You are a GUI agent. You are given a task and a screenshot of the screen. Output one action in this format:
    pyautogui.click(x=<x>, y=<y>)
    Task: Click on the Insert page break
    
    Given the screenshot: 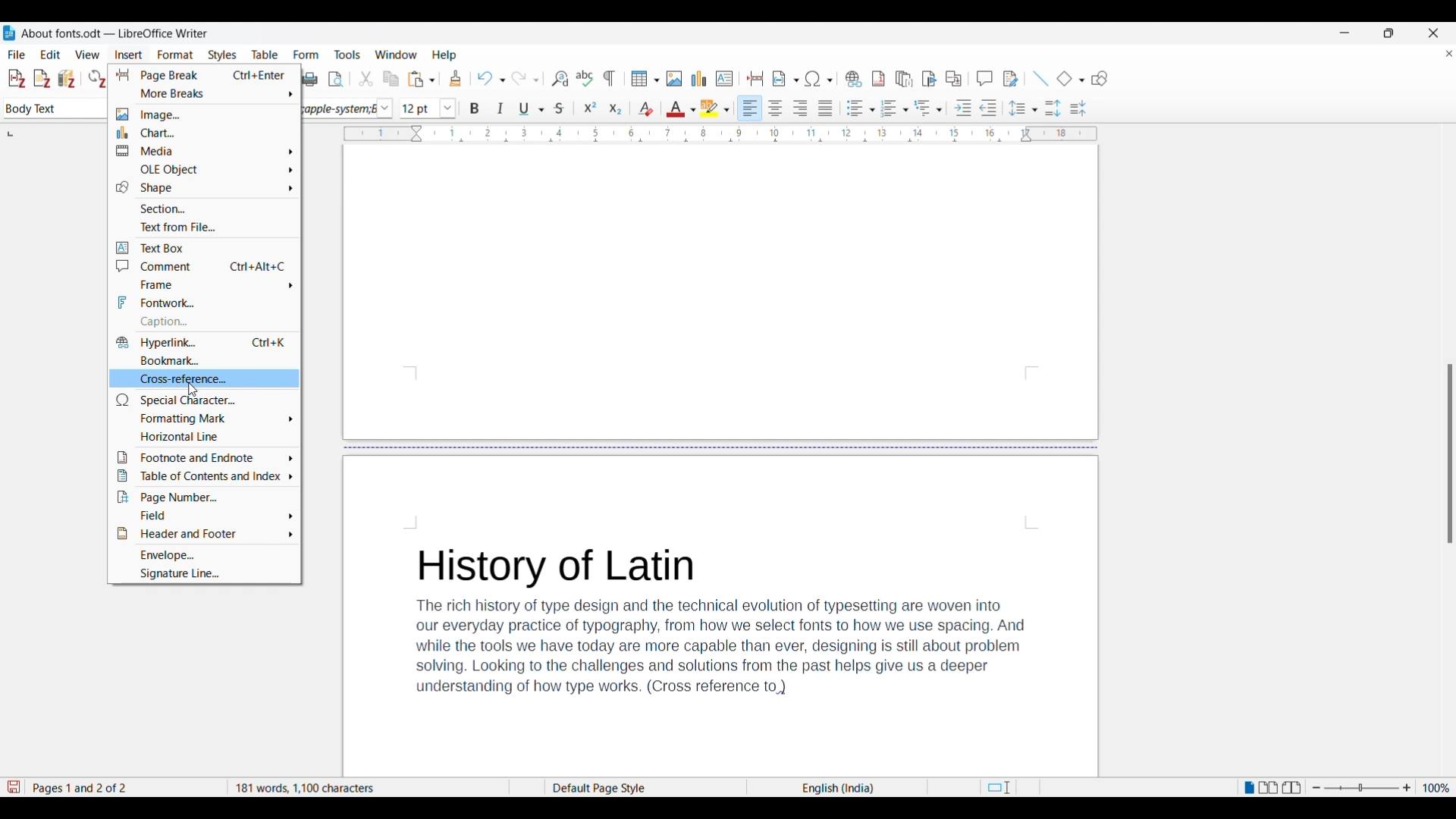 What is the action you would take?
    pyautogui.click(x=756, y=78)
    